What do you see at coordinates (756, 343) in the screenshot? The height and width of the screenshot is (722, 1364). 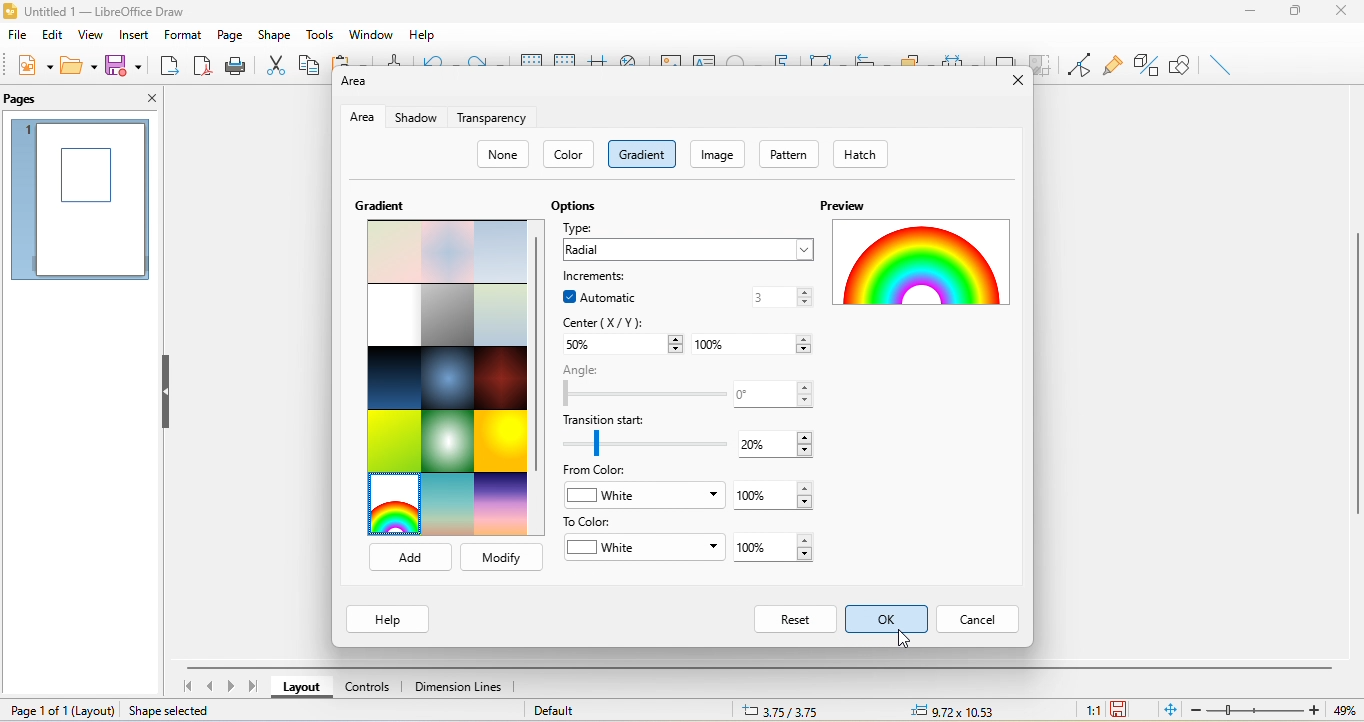 I see `100%` at bounding box center [756, 343].